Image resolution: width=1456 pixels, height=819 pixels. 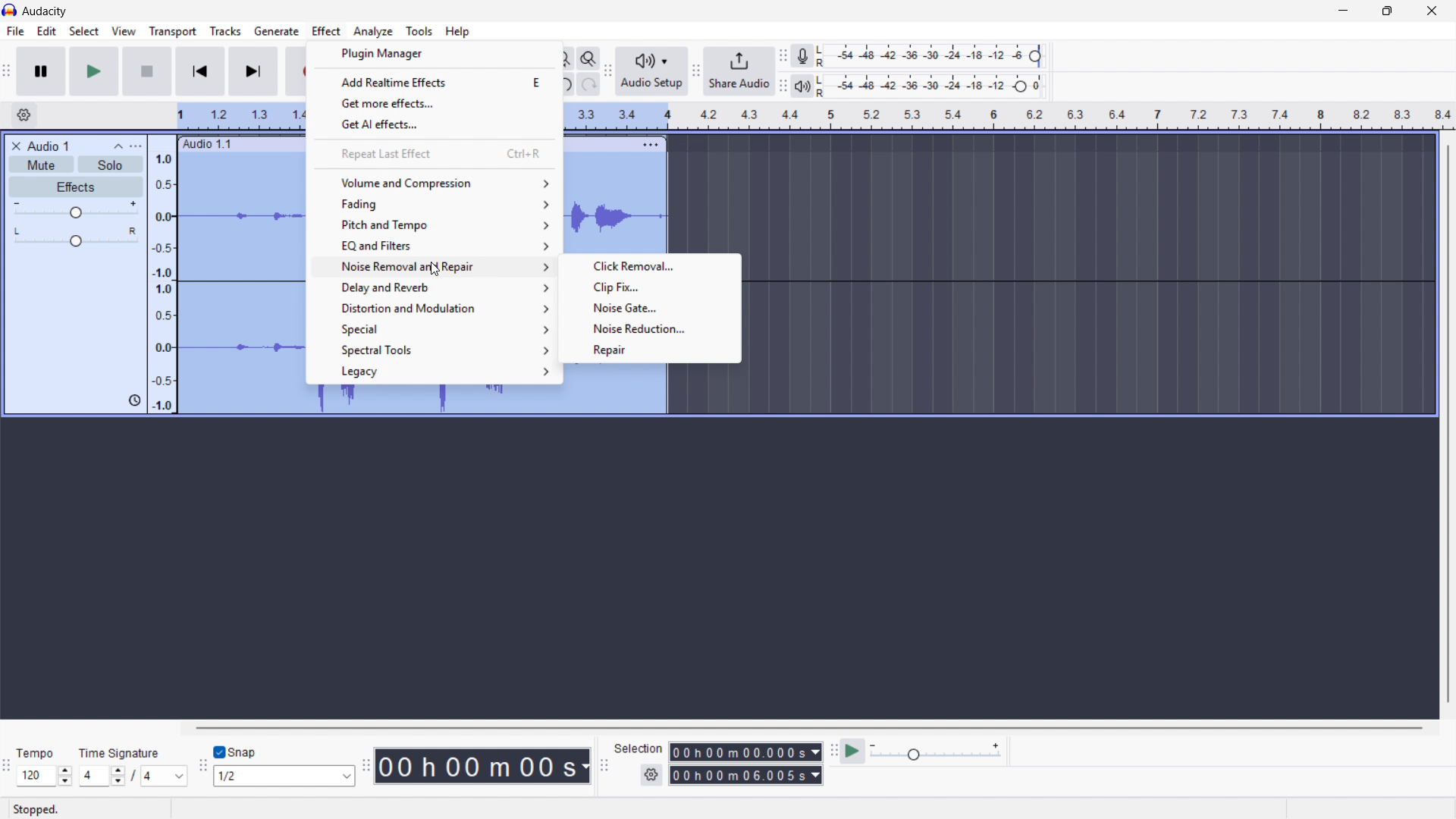 I want to click on audio setup toolbar, so click(x=607, y=73).